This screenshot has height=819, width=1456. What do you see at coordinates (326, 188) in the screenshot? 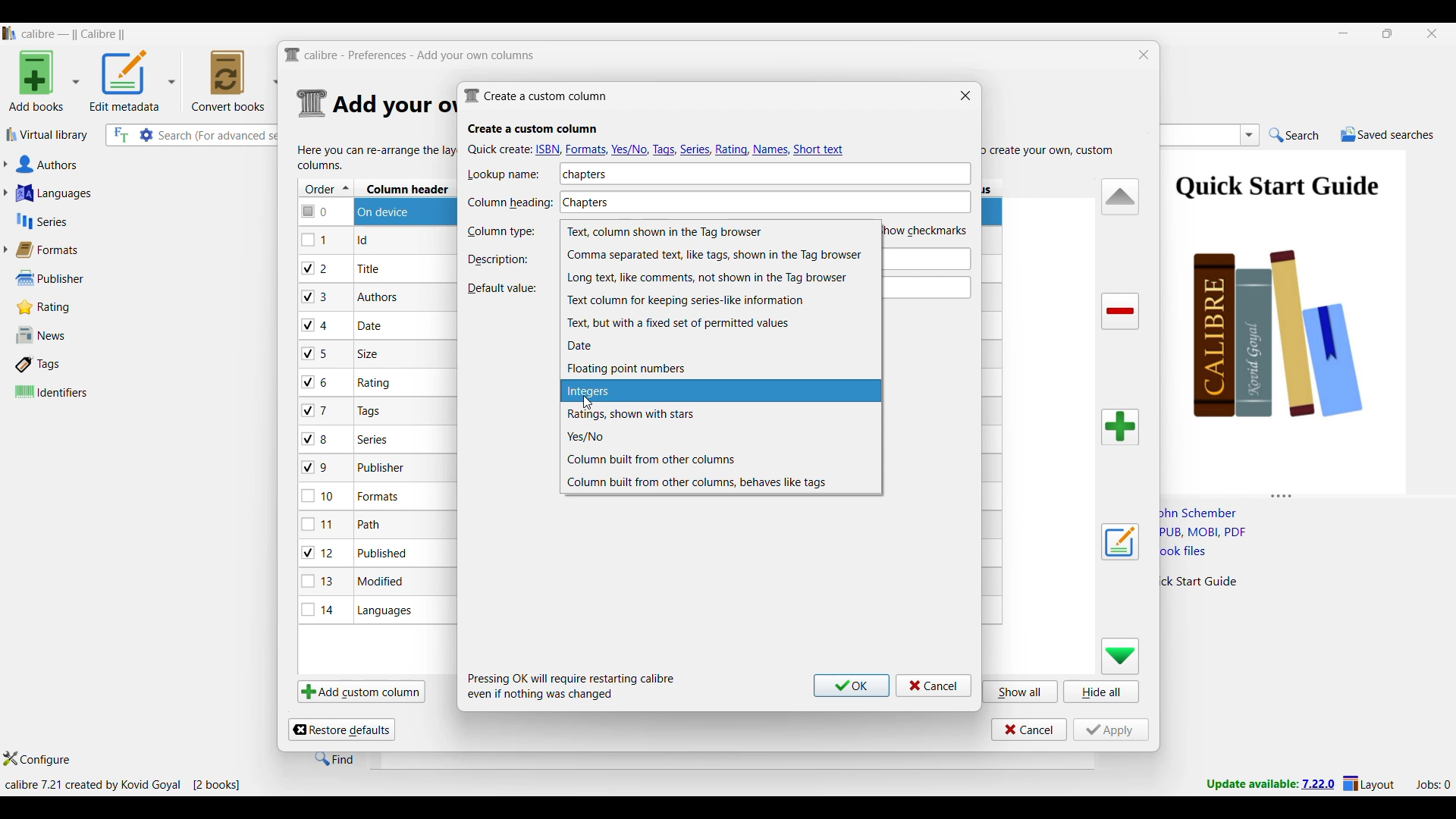
I see `Order column, current sorting` at bounding box center [326, 188].